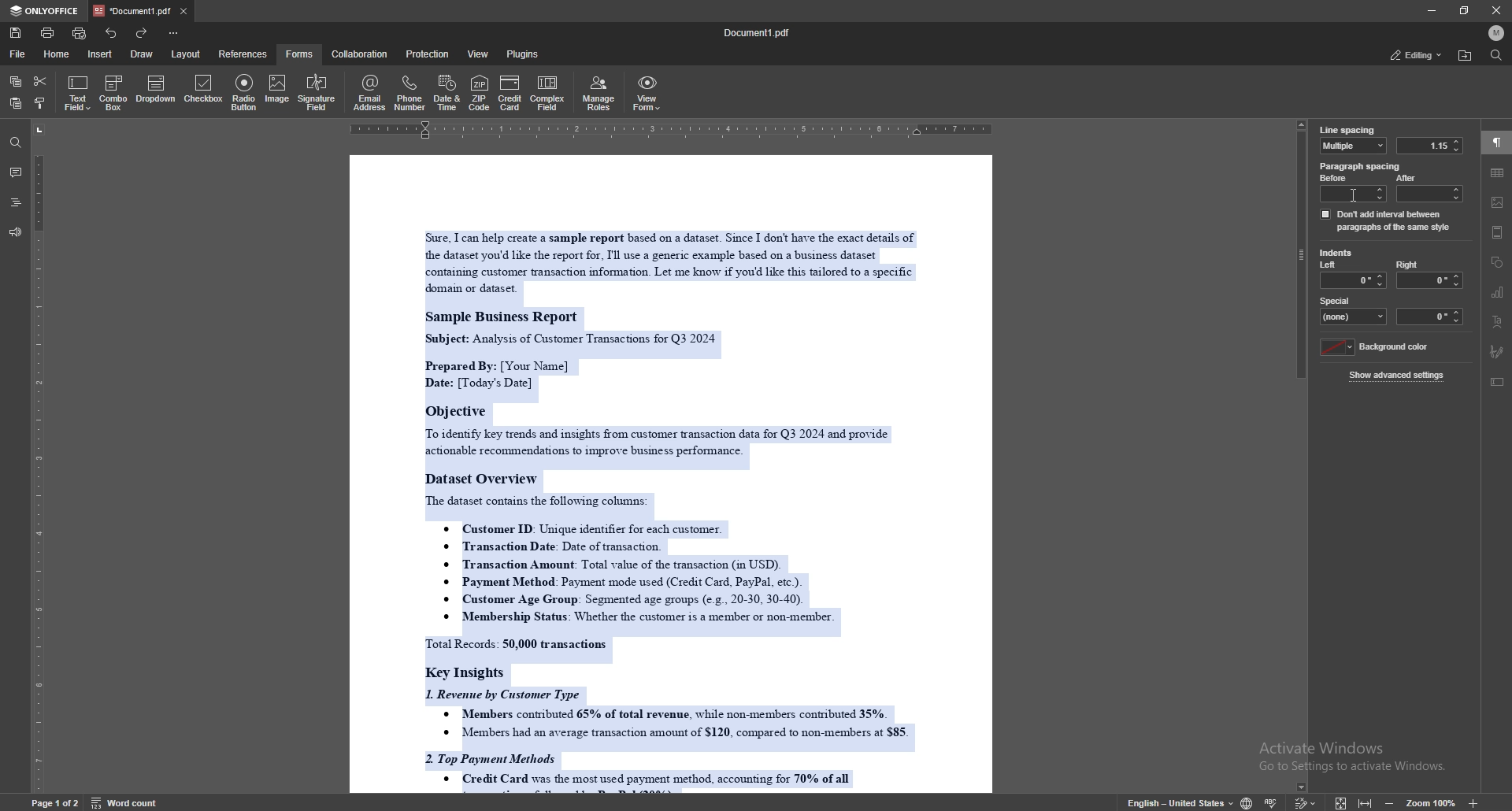 The image size is (1512, 811). I want to click on locate file, so click(1465, 56).